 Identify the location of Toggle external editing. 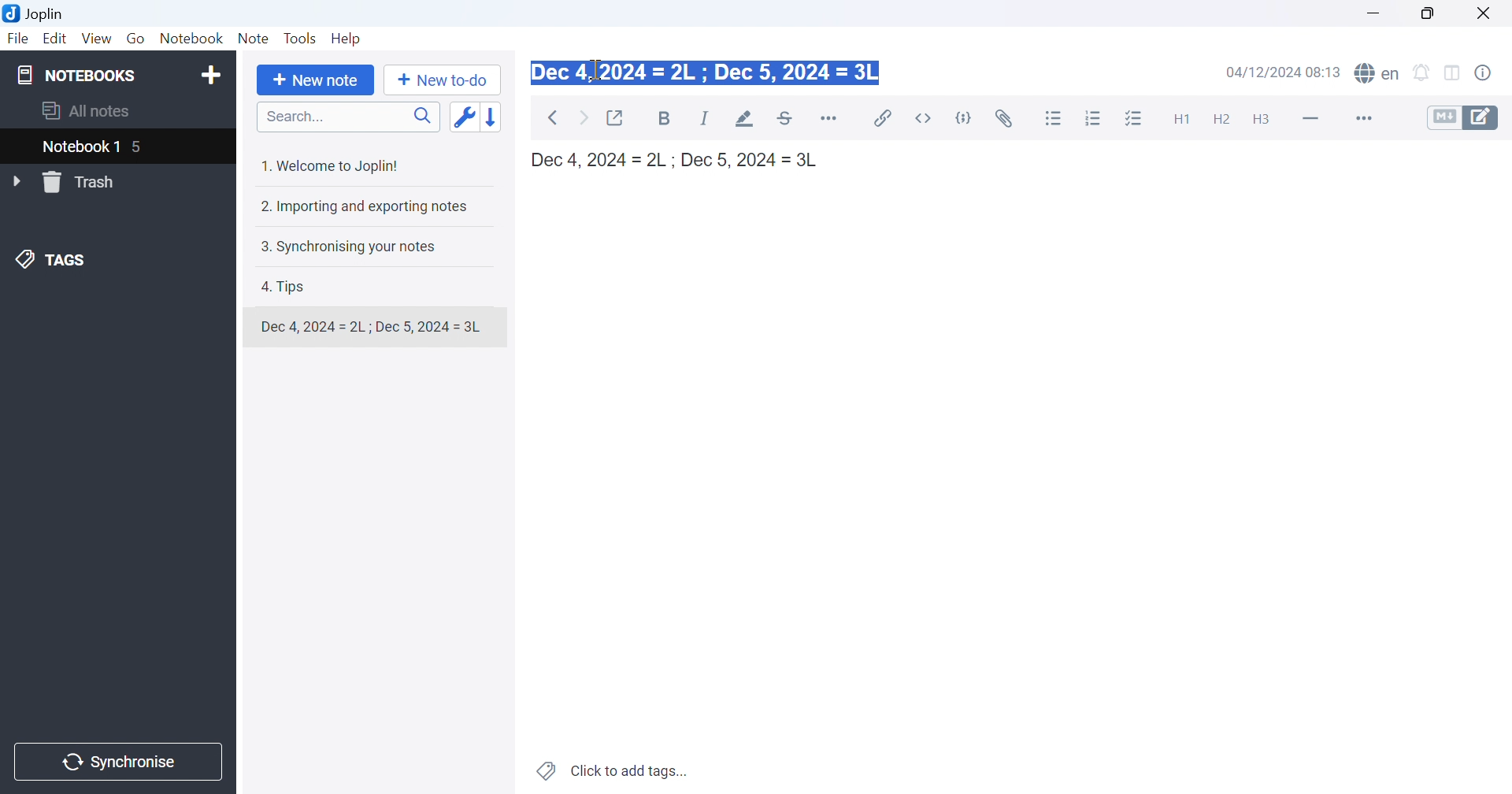
(618, 117).